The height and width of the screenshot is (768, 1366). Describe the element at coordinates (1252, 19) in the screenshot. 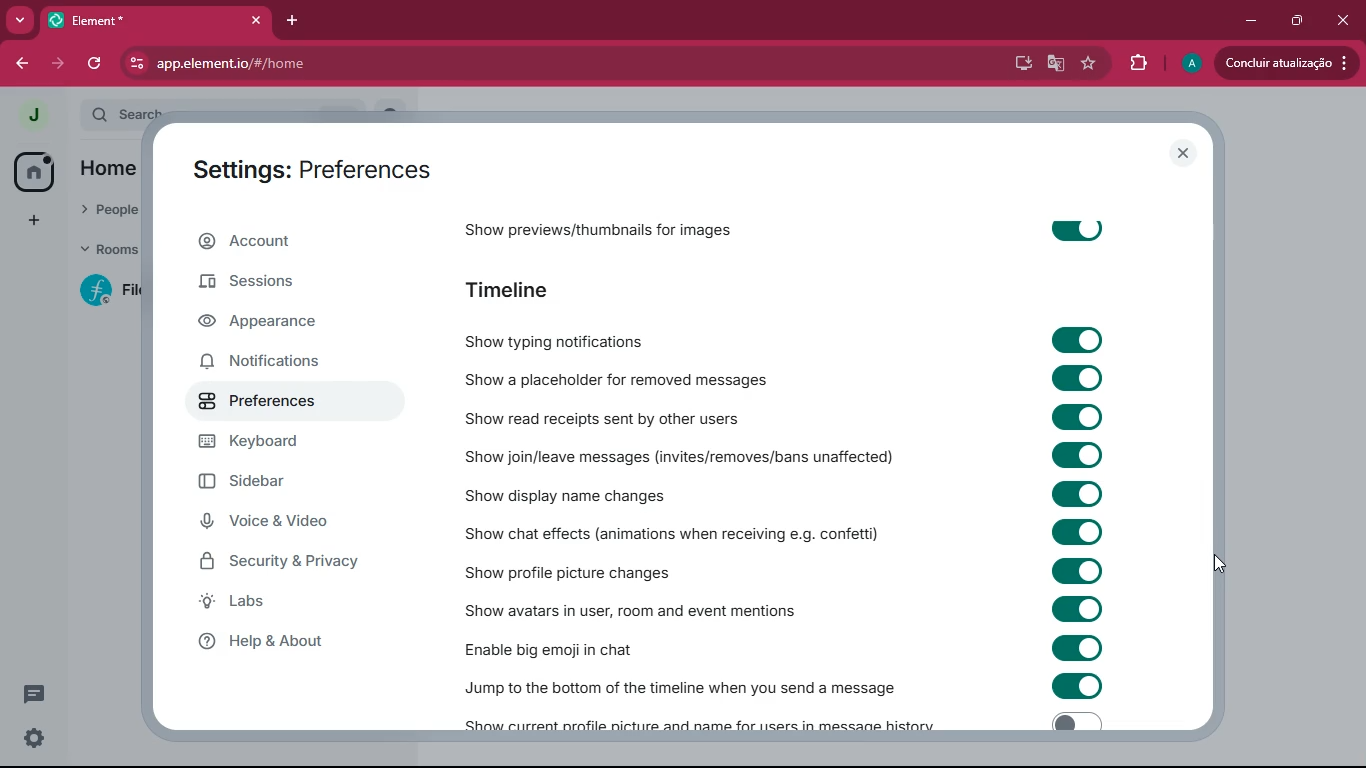

I see `minimize` at that location.